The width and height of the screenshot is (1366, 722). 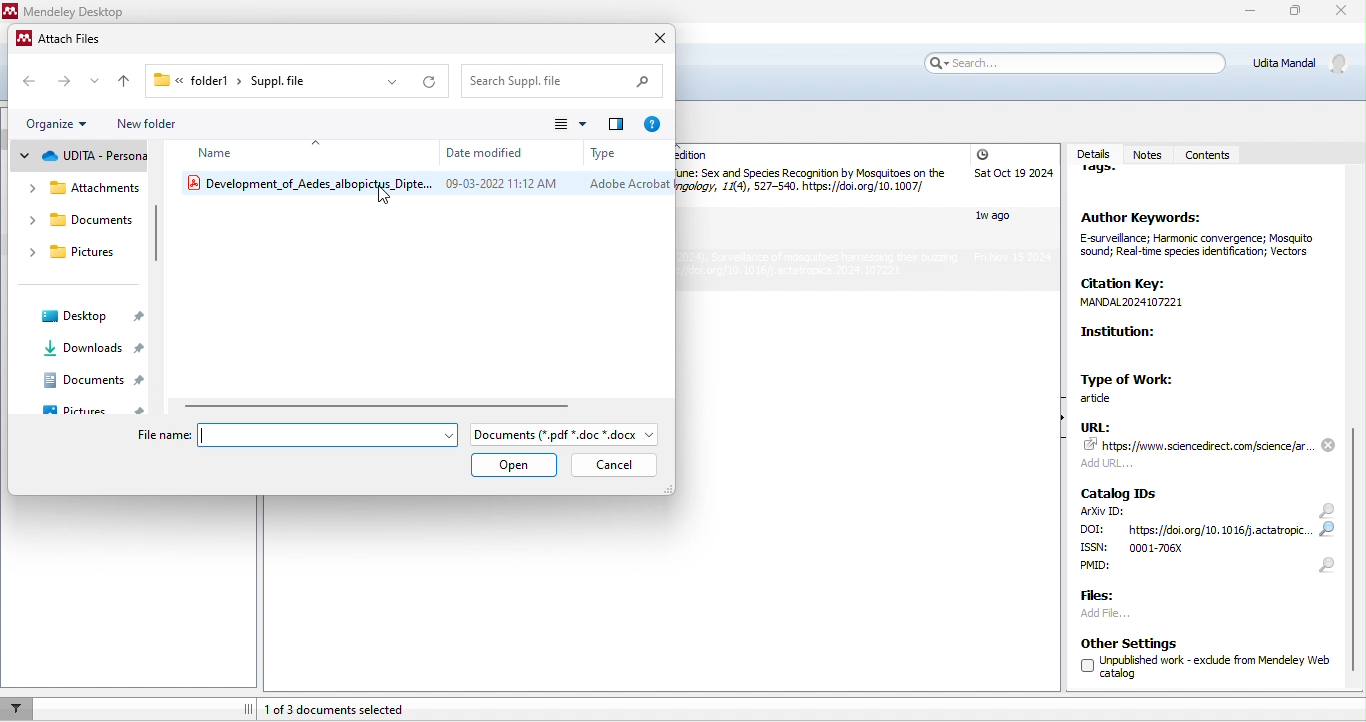 I want to click on documents, so click(x=89, y=381).